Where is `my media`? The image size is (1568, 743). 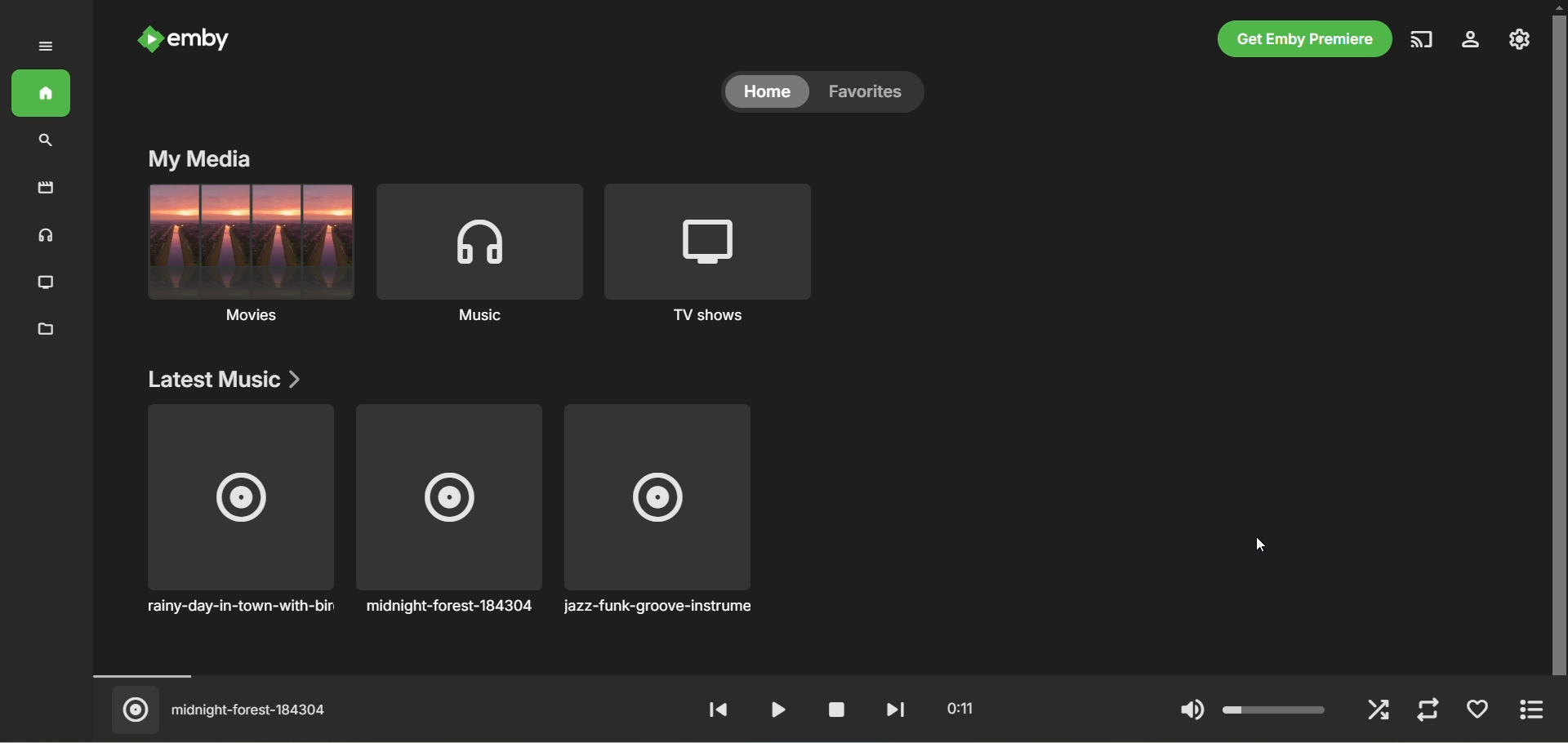 my media is located at coordinates (203, 160).